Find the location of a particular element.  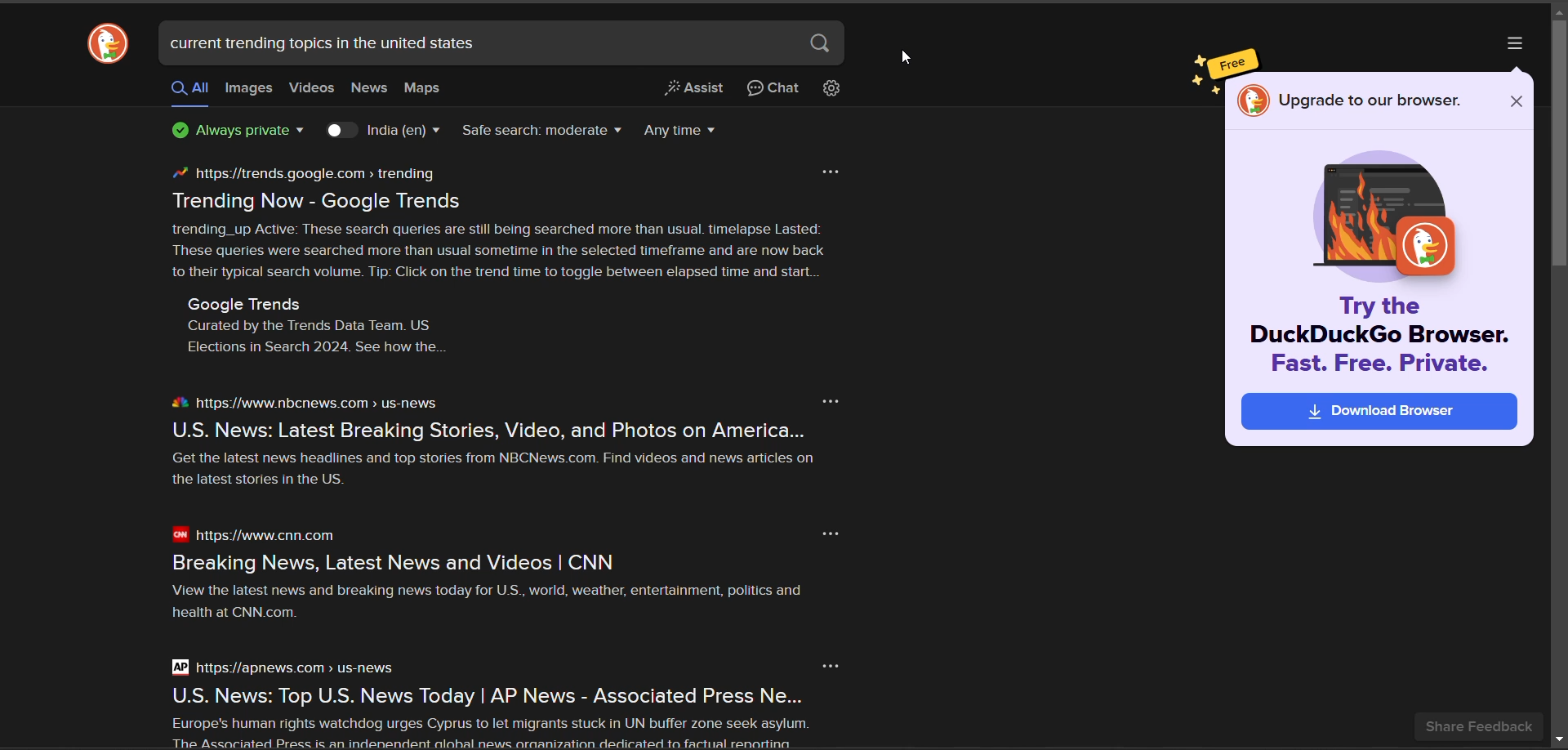

more is located at coordinates (831, 666).